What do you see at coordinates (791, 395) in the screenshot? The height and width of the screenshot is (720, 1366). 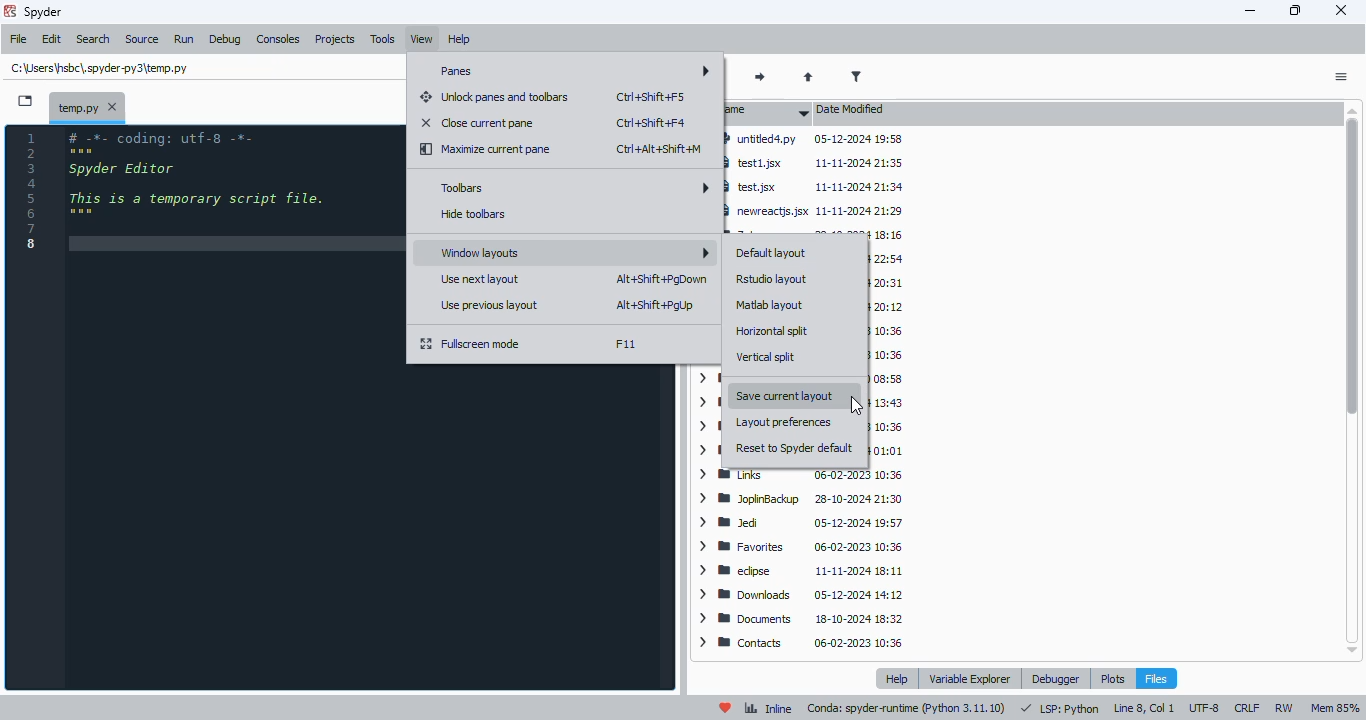 I see `save current layout` at bounding box center [791, 395].